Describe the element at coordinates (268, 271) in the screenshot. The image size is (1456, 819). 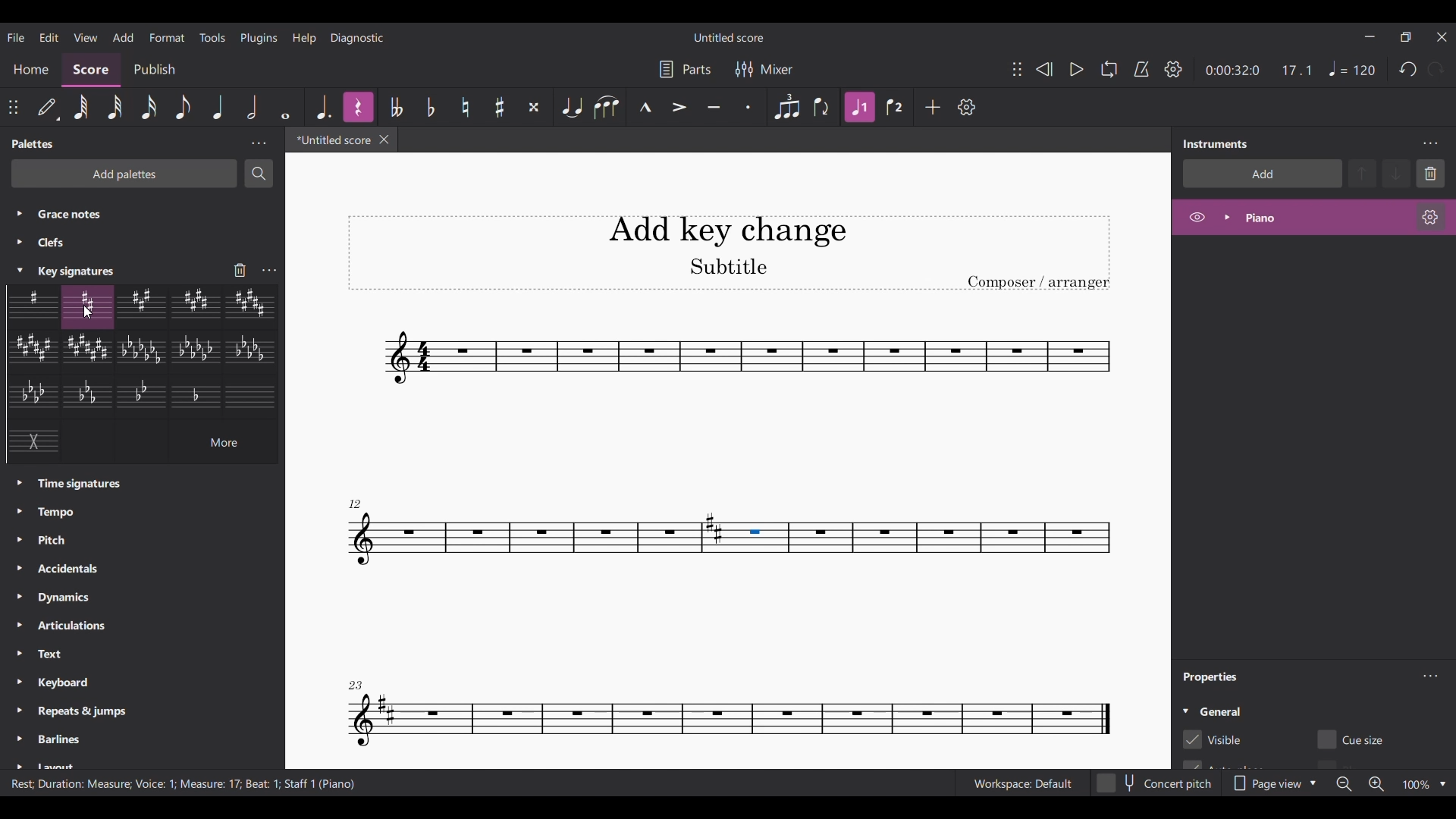
I see `Key signature settings` at that location.